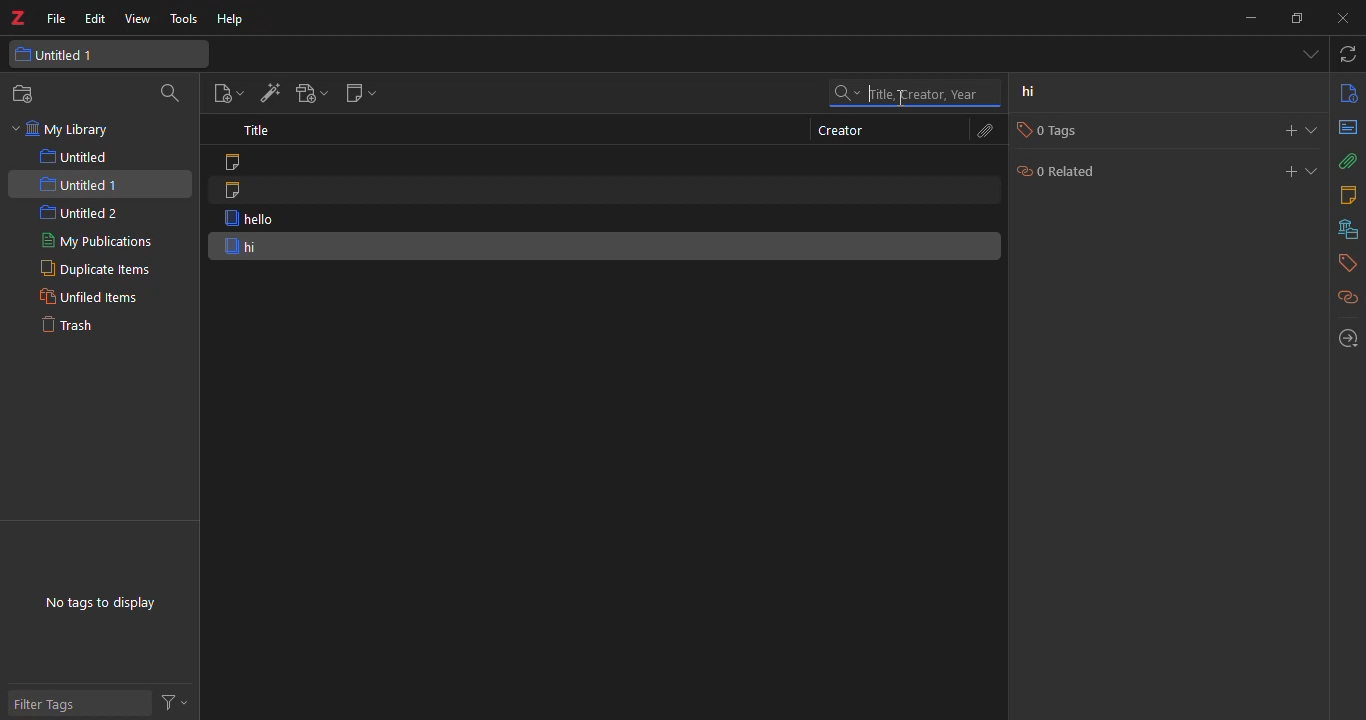 The height and width of the screenshot is (720, 1366). What do you see at coordinates (103, 603) in the screenshot?
I see `no tags to display` at bounding box center [103, 603].